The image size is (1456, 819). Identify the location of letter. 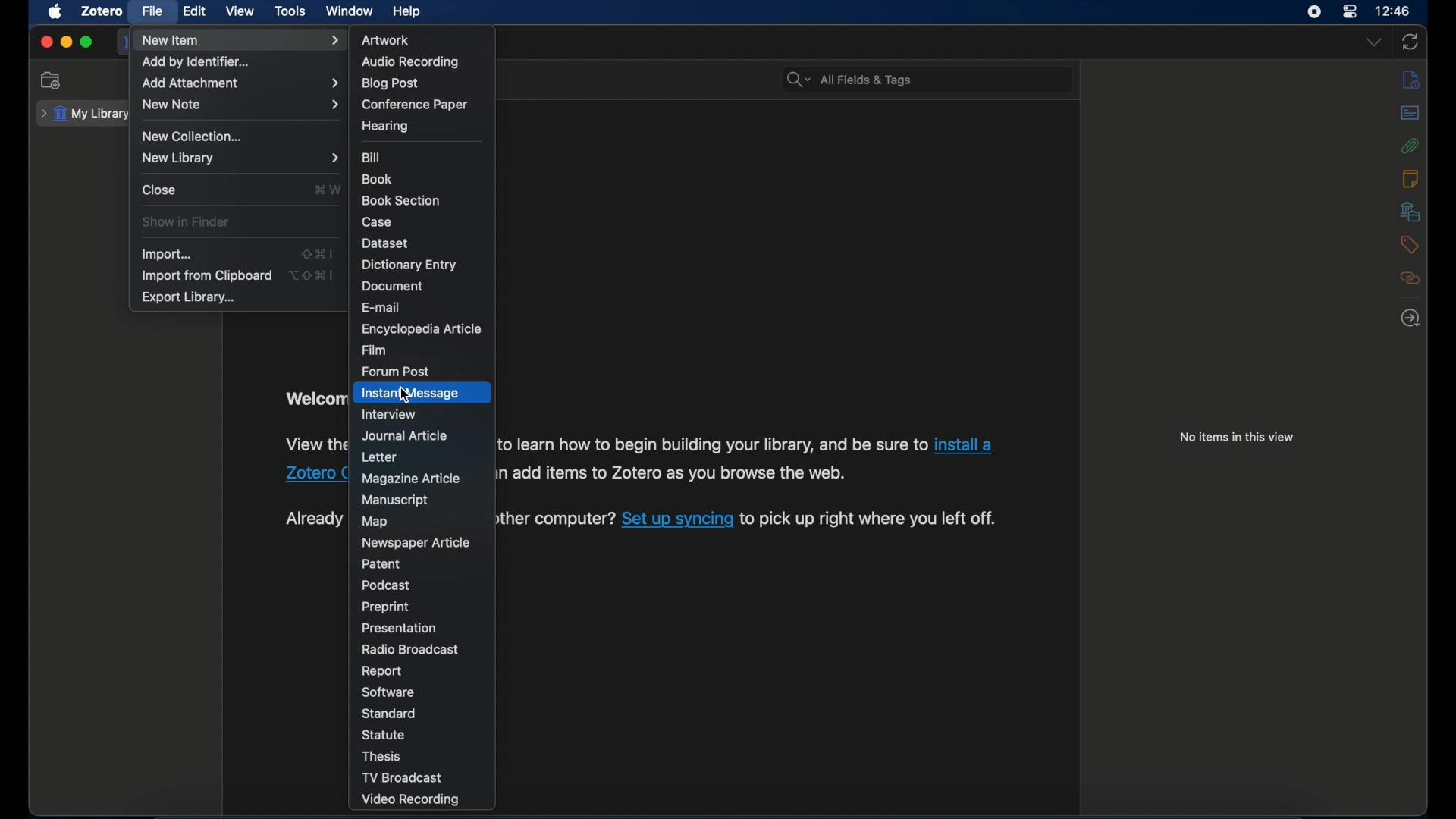
(378, 457).